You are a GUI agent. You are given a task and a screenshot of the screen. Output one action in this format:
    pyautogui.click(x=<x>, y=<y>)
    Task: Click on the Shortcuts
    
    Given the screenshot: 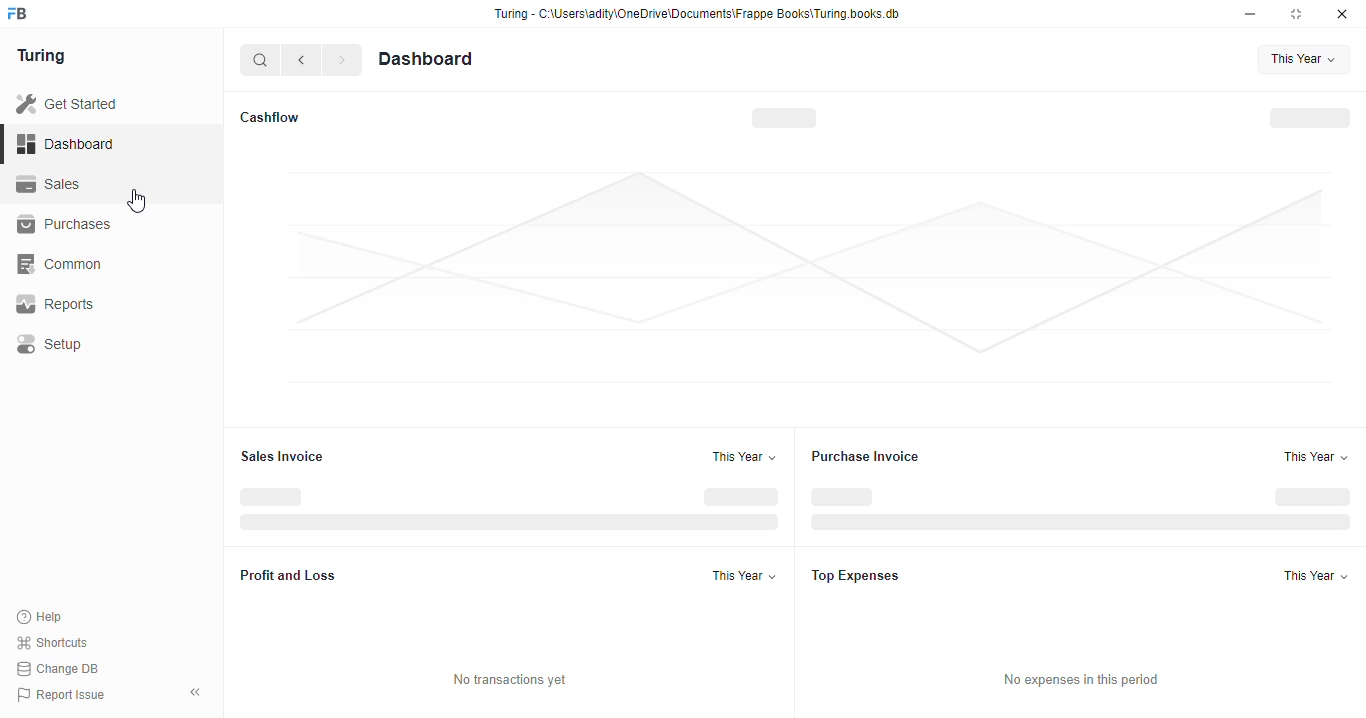 What is the action you would take?
    pyautogui.click(x=58, y=643)
    